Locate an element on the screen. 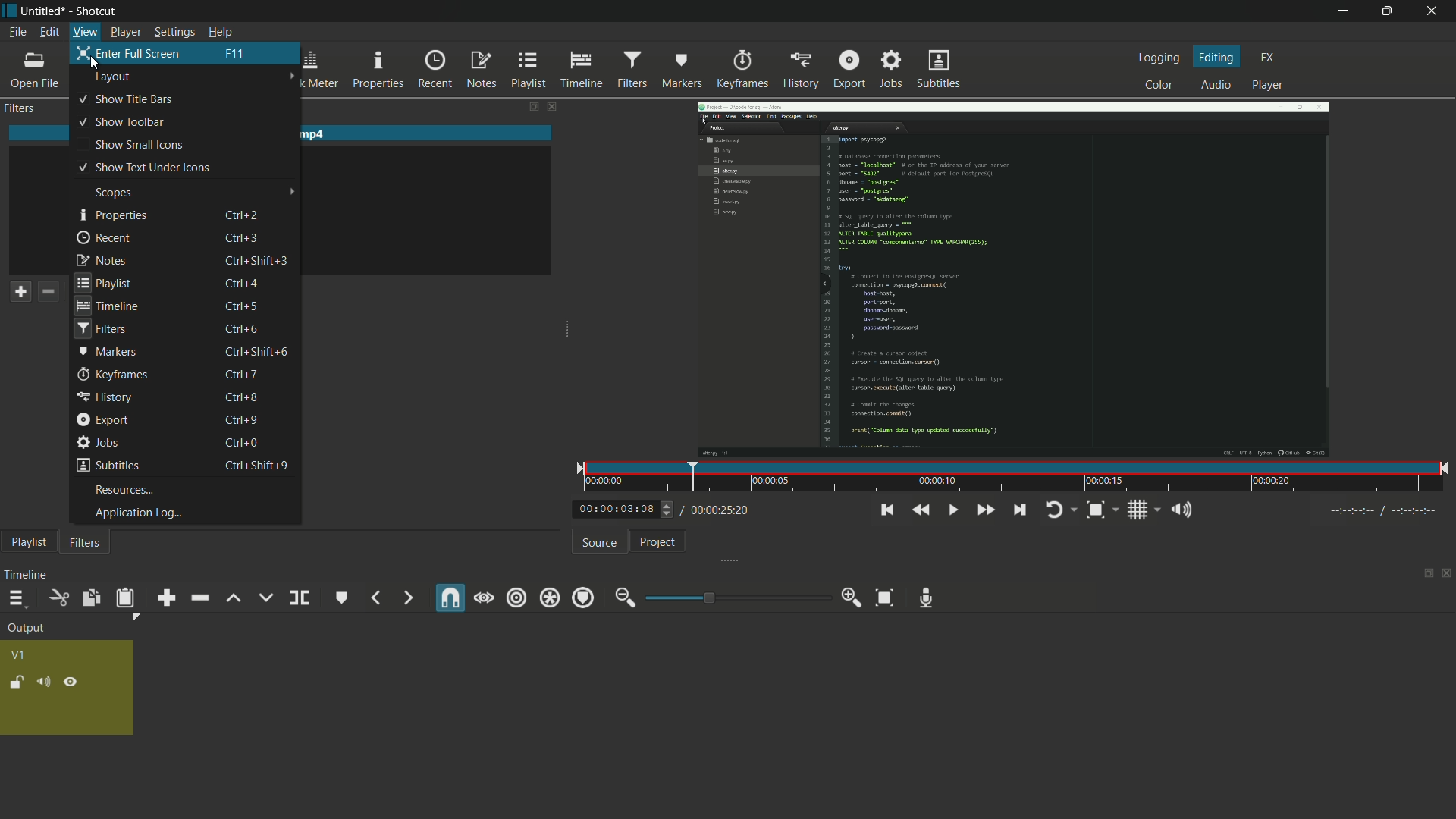  resources is located at coordinates (126, 490).